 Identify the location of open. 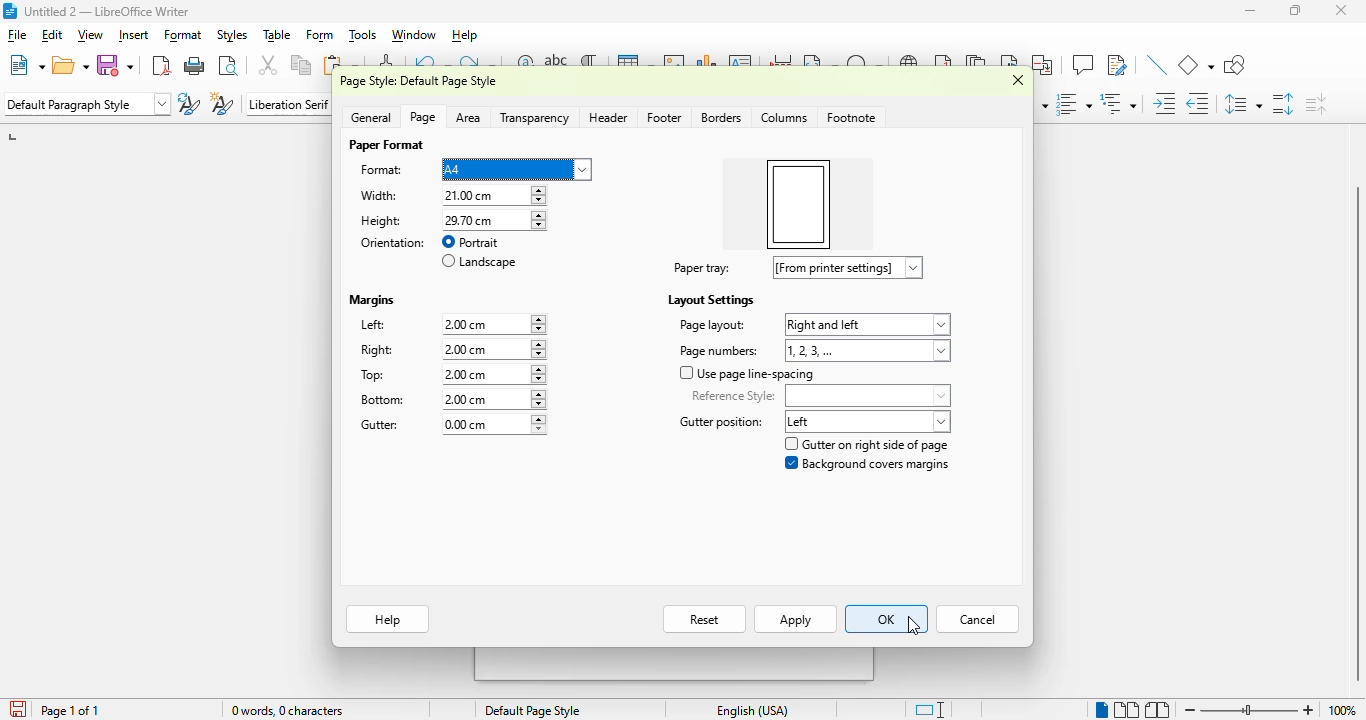
(70, 65).